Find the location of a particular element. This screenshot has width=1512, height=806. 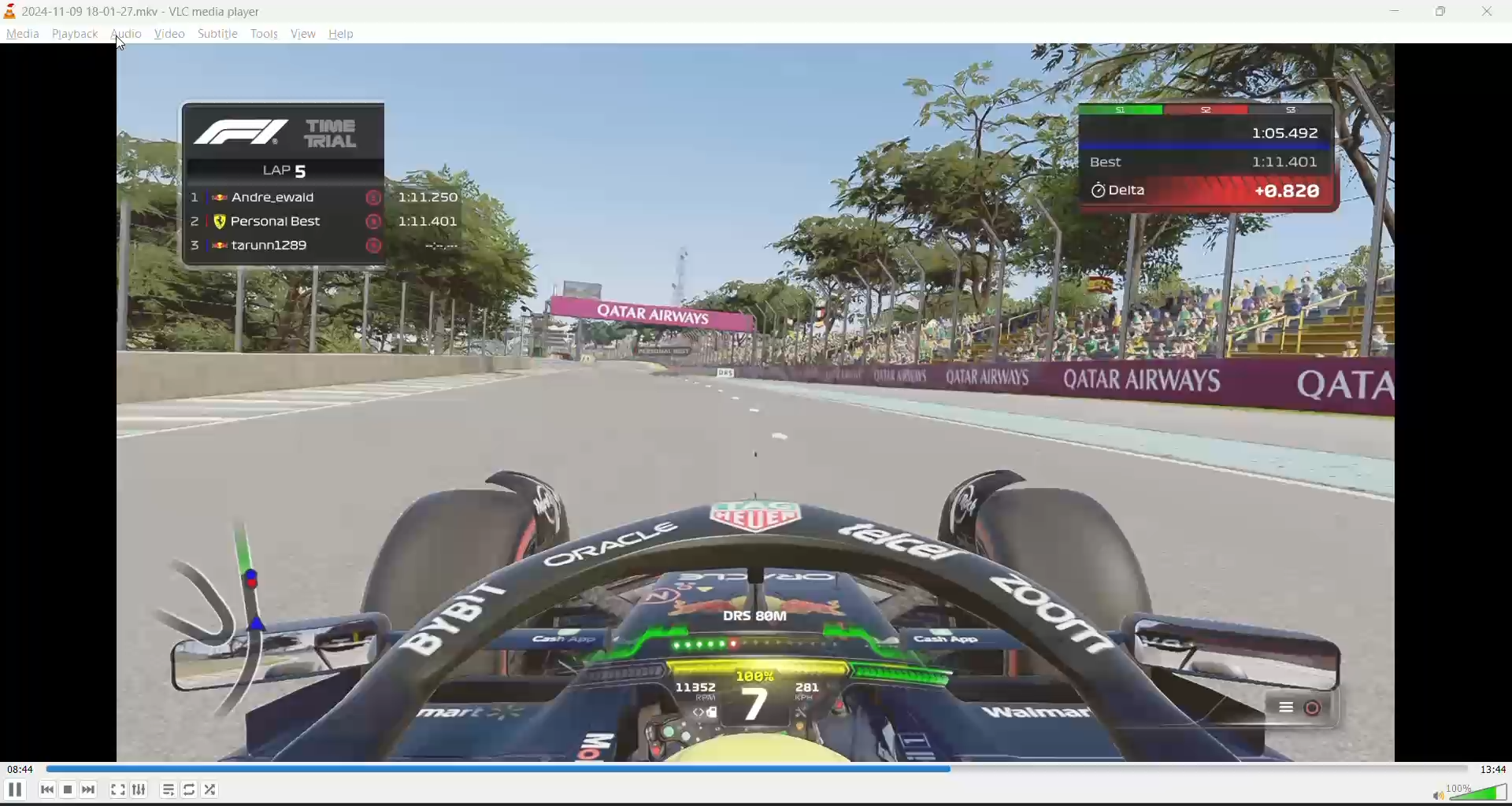

minimize is located at coordinates (1396, 10).